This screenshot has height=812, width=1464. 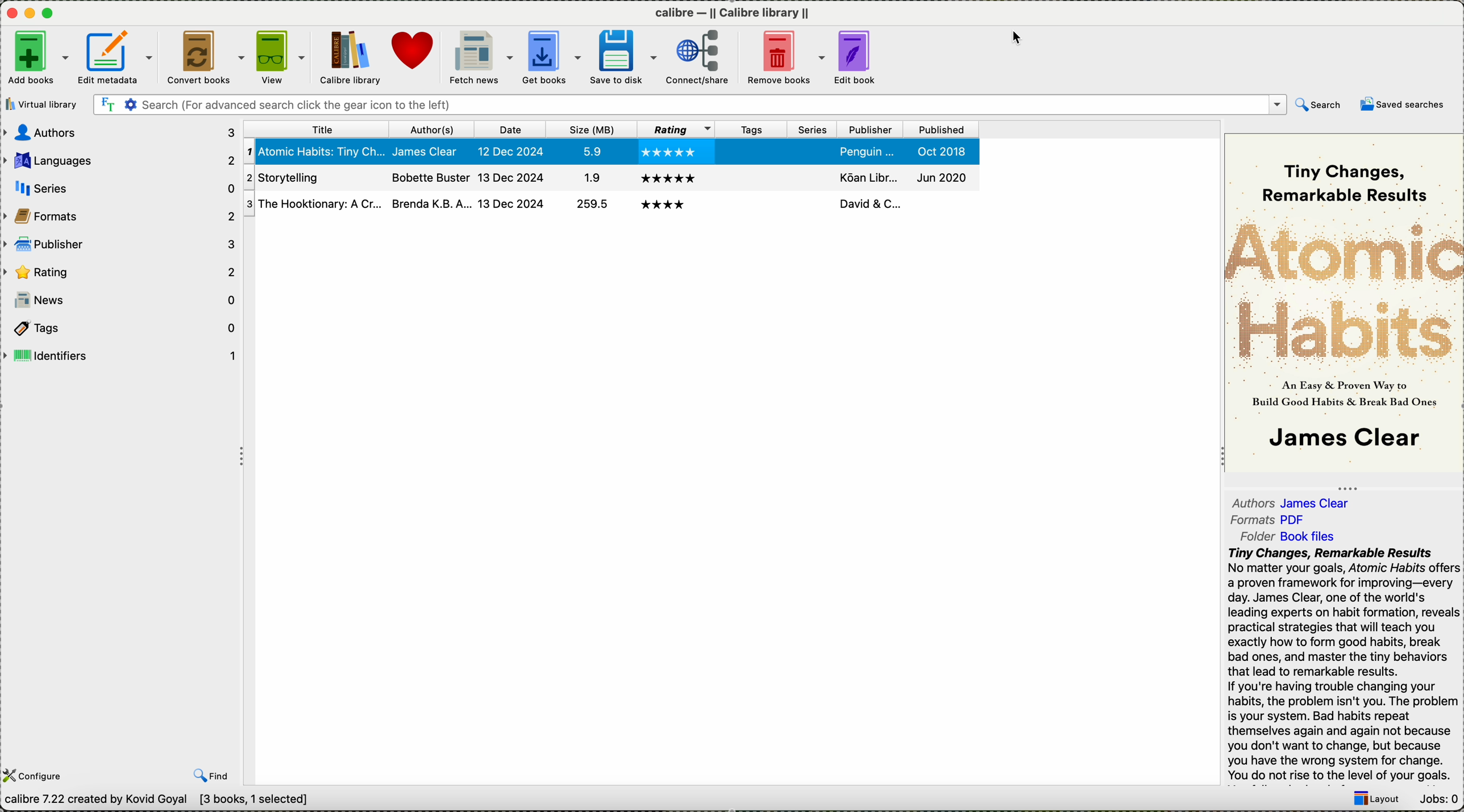 What do you see at coordinates (1250, 536) in the screenshot?
I see `folder book files` at bounding box center [1250, 536].